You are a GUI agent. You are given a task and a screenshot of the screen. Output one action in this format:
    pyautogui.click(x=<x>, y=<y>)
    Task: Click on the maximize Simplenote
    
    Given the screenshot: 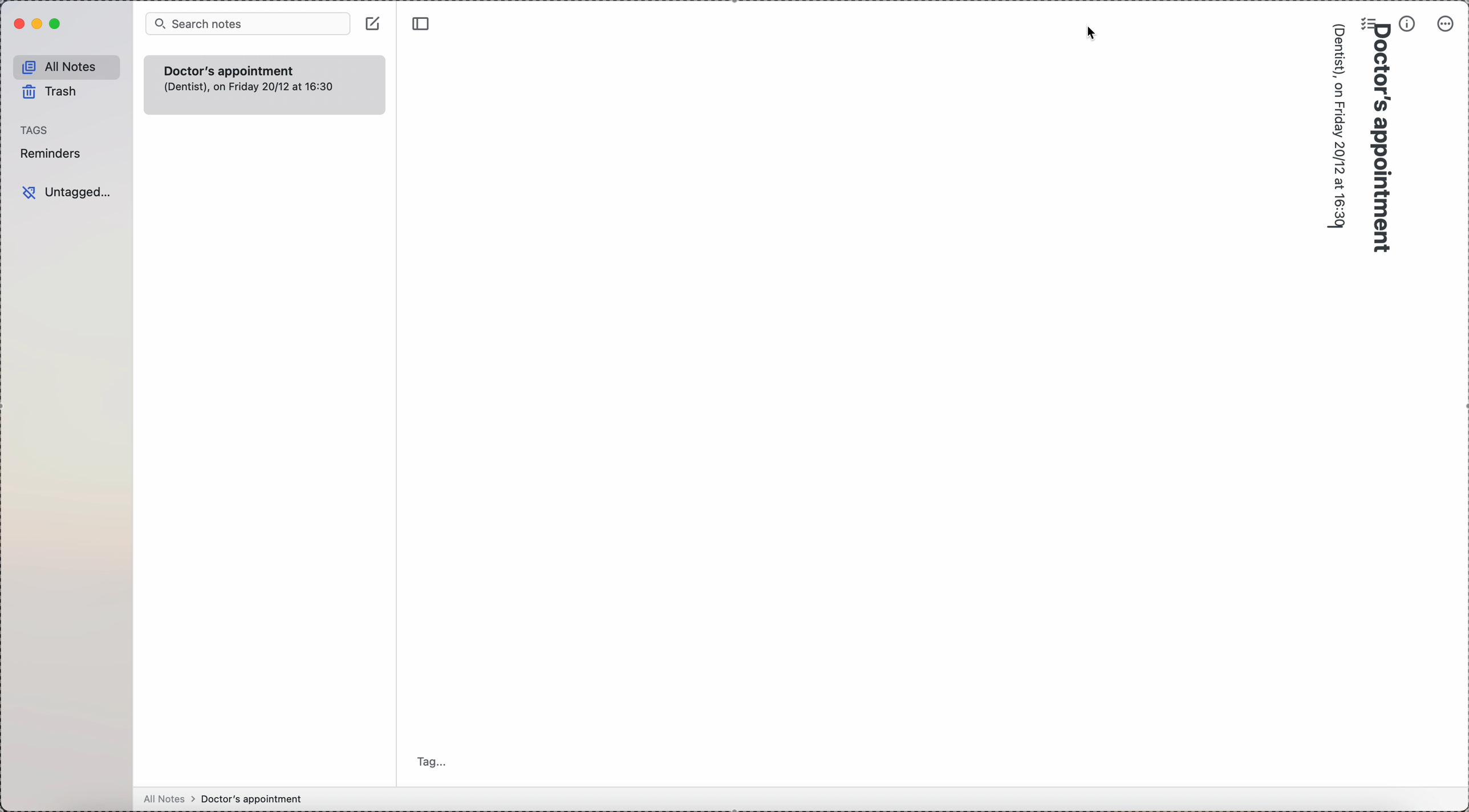 What is the action you would take?
    pyautogui.click(x=57, y=25)
    